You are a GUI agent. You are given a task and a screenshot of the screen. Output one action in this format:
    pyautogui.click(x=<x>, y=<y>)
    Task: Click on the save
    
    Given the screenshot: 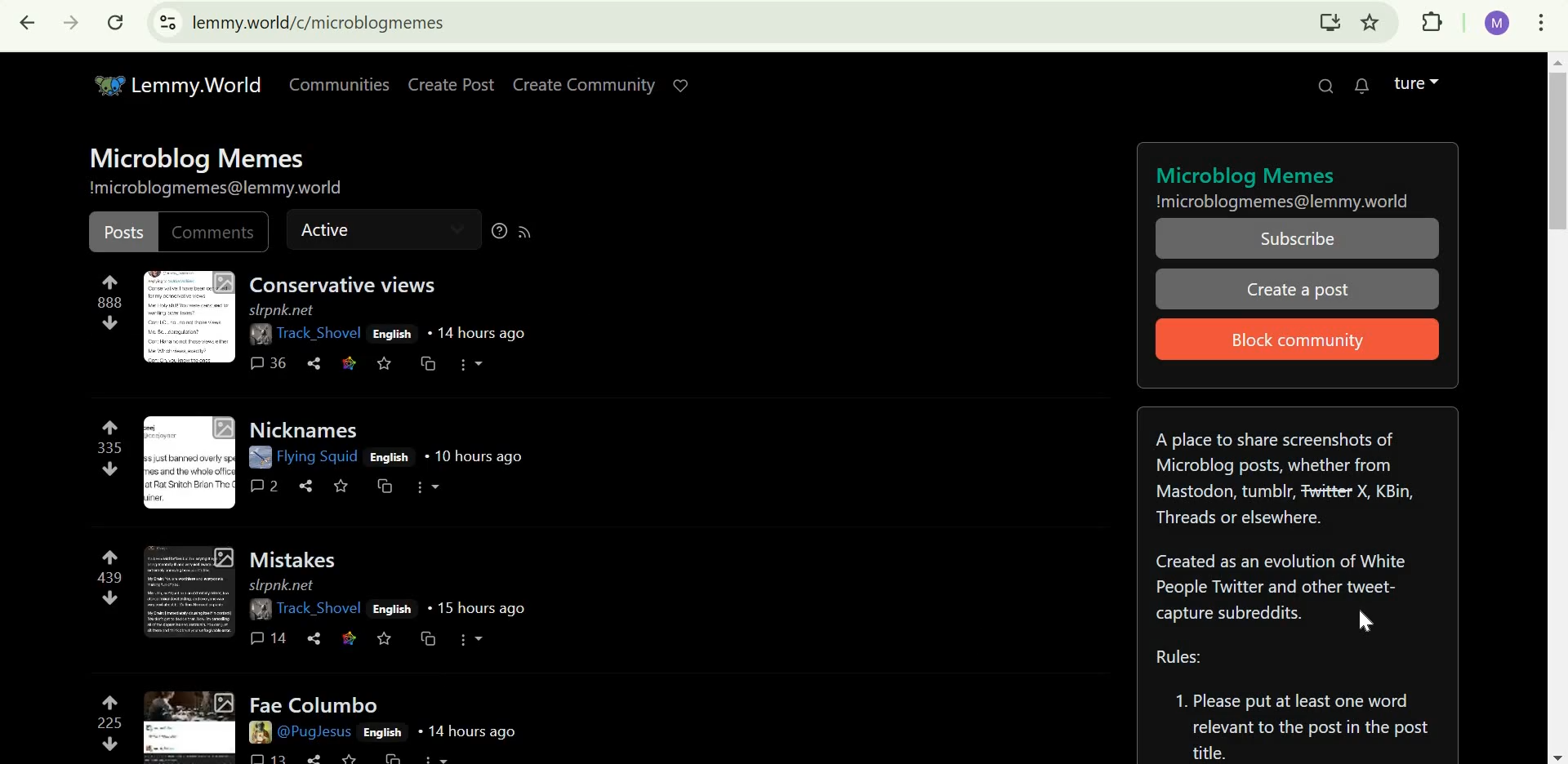 What is the action you would take?
    pyautogui.click(x=386, y=640)
    